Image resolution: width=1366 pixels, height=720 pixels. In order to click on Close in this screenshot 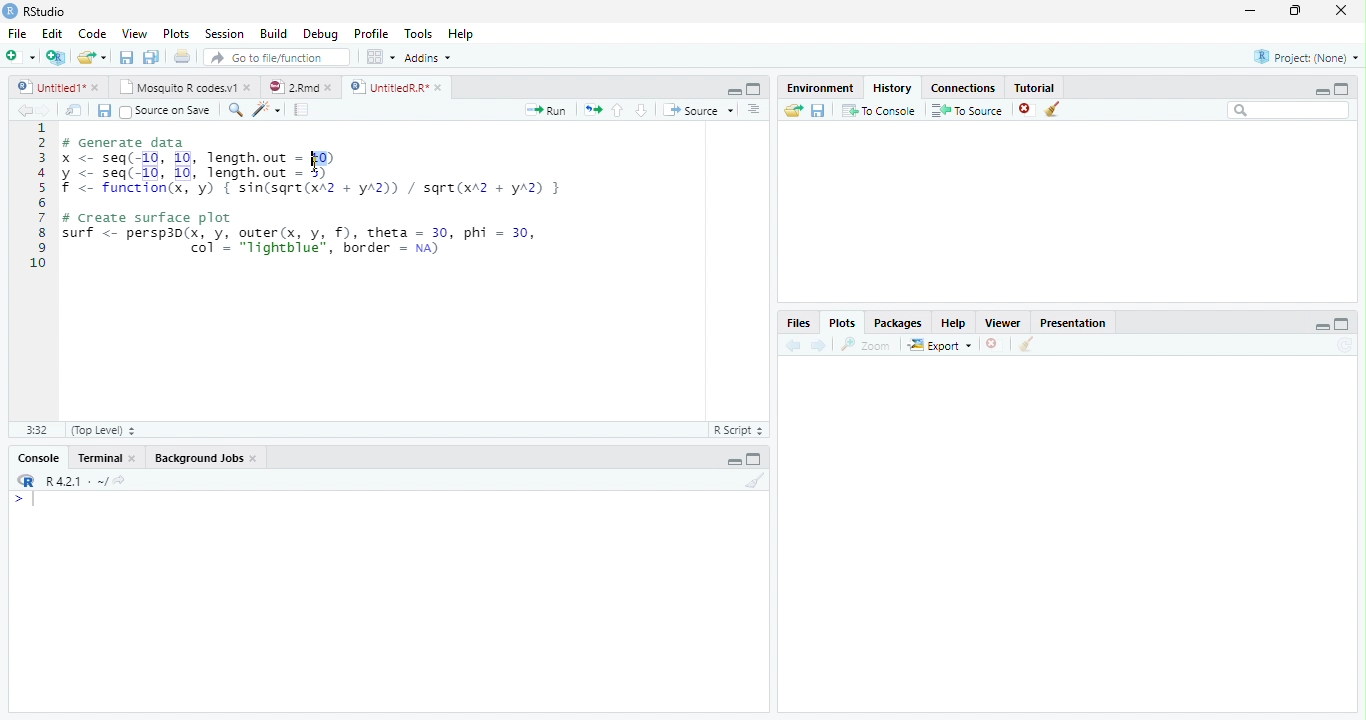, I will do `click(254, 458)`.